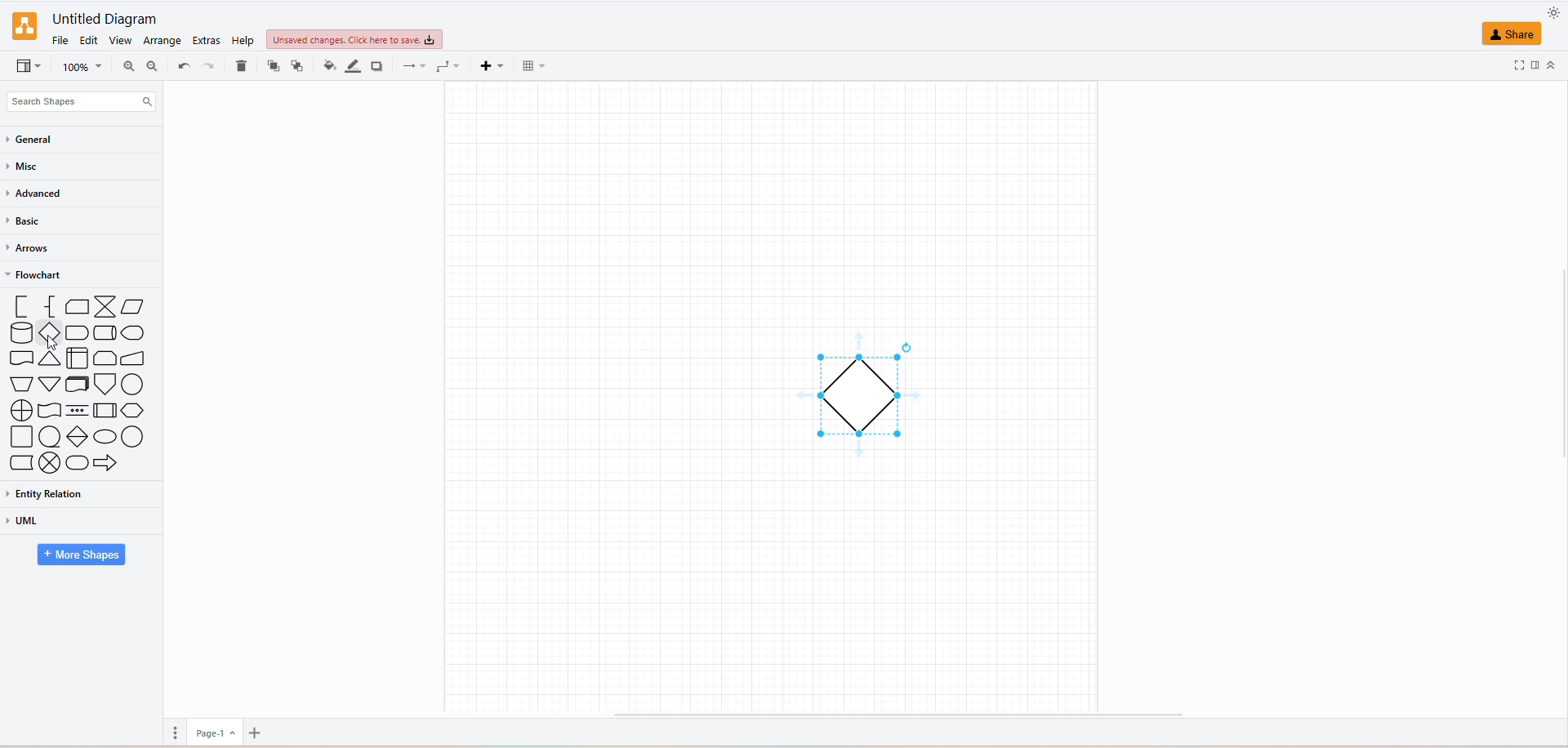 The width and height of the screenshot is (1568, 748). I want to click on COLLAPSE, so click(1550, 63).